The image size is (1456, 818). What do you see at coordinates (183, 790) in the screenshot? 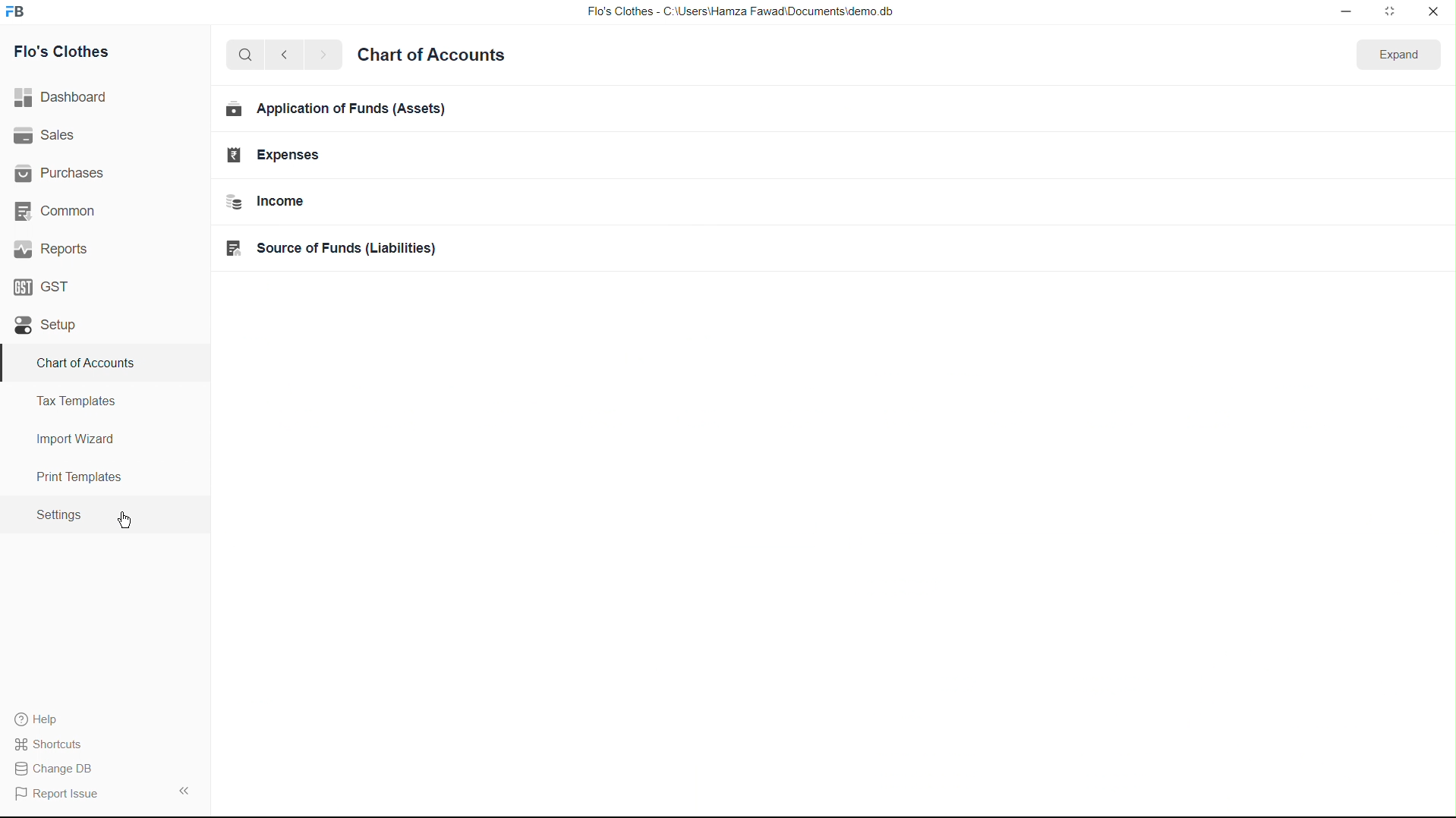
I see `Collapse` at bounding box center [183, 790].